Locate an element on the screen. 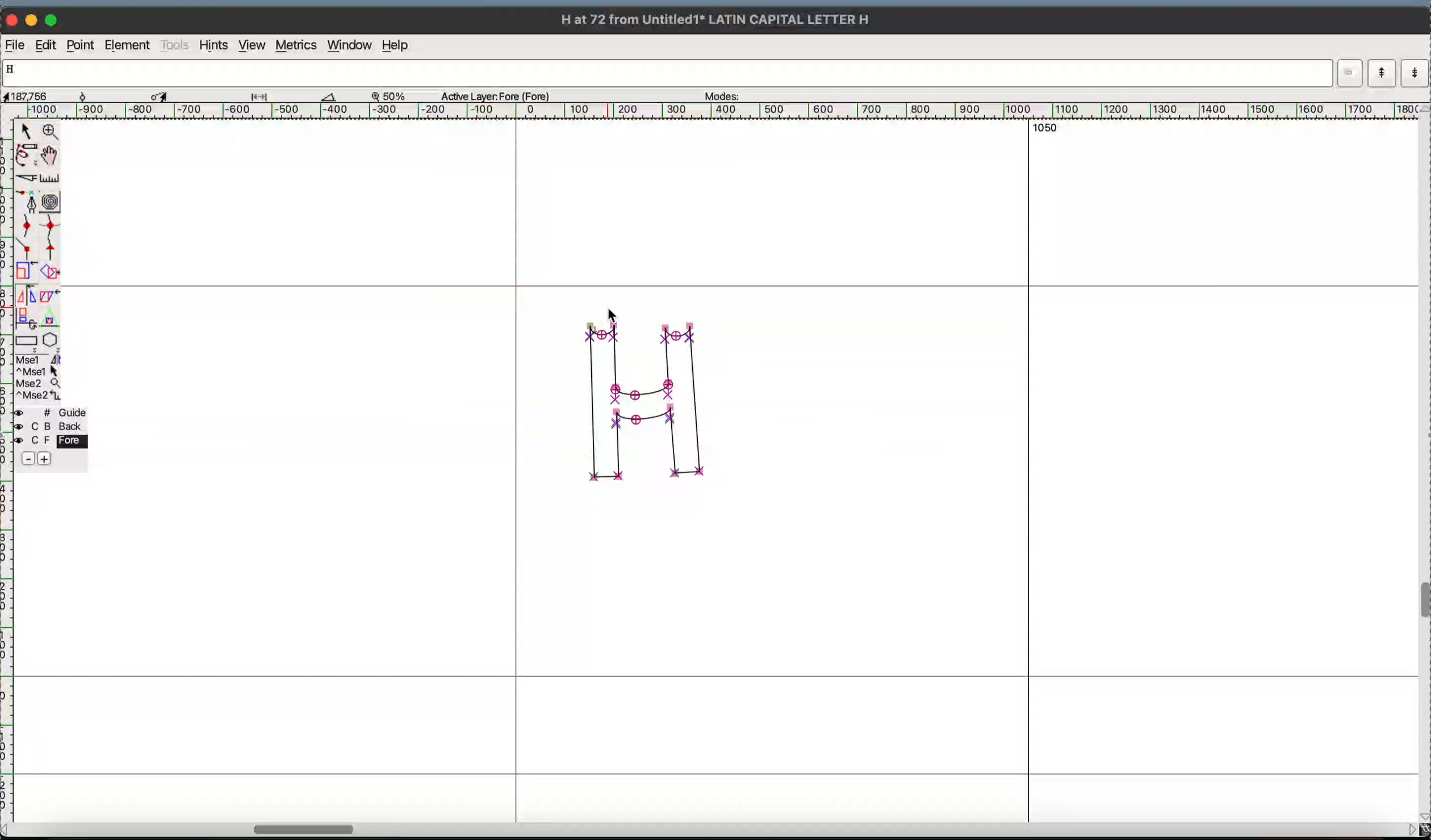 Image resolution: width=1431 pixels, height=840 pixels. pan is located at coordinates (53, 155).